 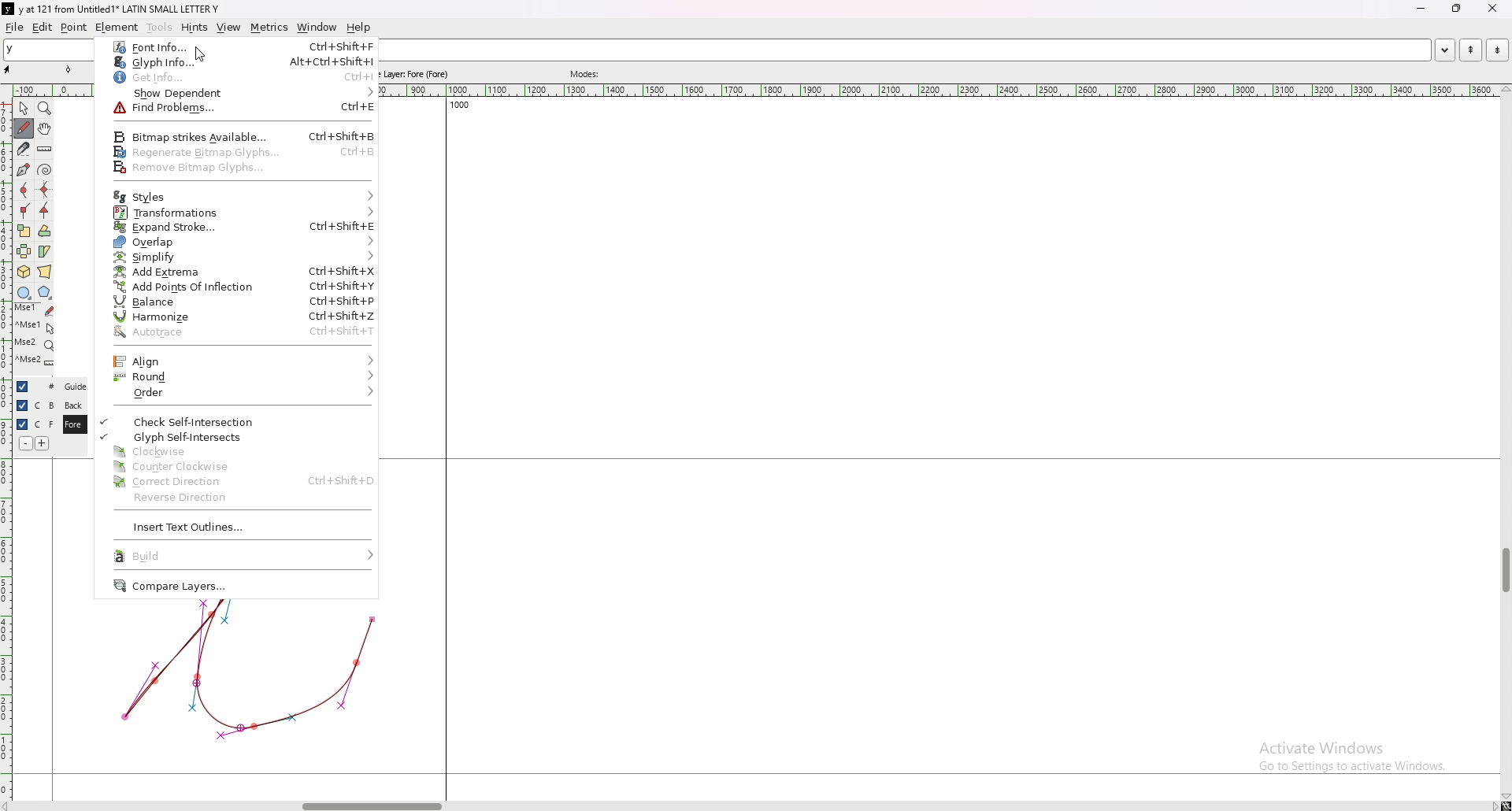 I want to click on bitmap strikes available, so click(x=235, y=137).